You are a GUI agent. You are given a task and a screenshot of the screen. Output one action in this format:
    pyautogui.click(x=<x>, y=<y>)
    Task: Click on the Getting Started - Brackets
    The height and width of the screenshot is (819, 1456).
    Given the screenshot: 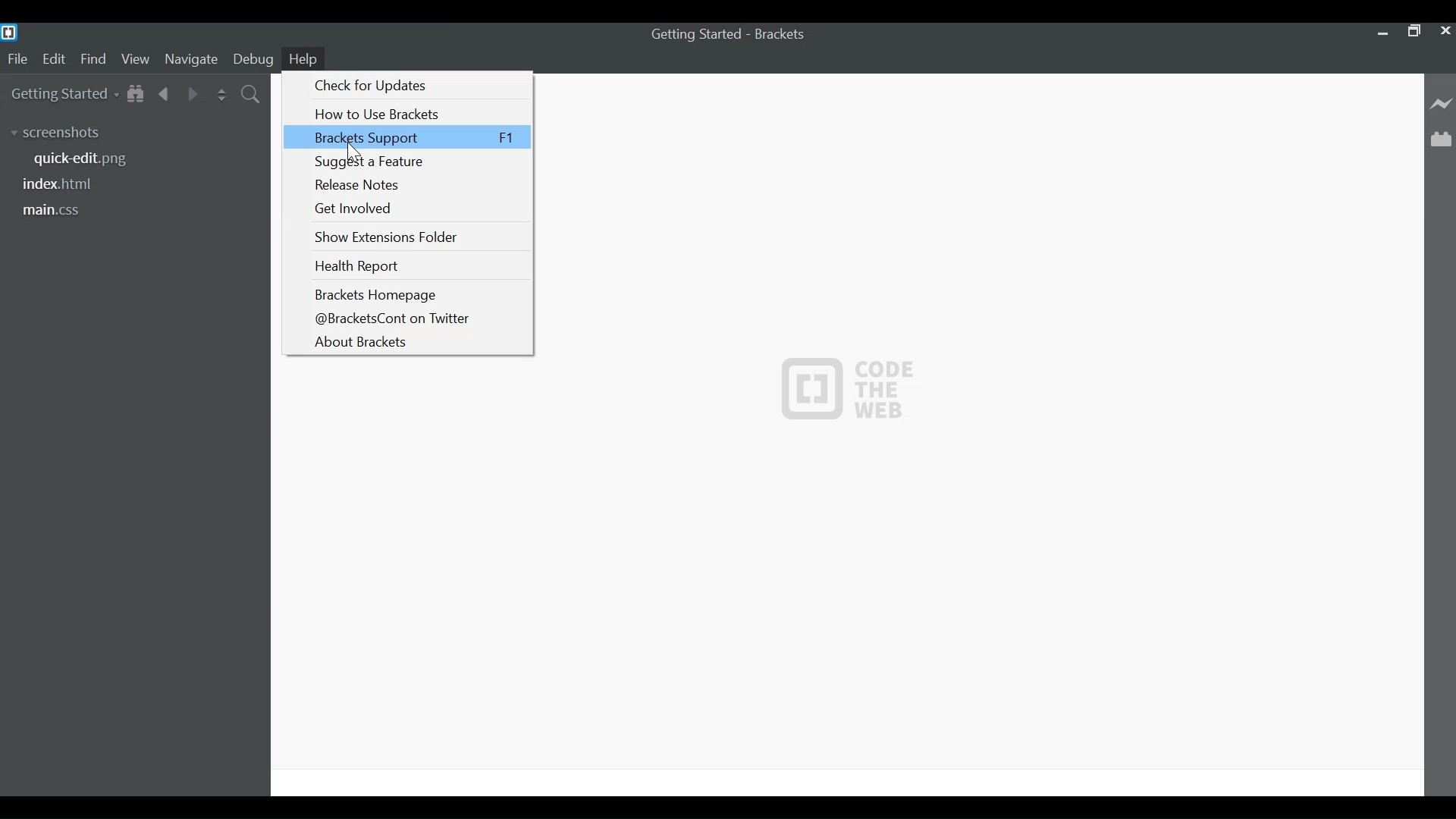 What is the action you would take?
    pyautogui.click(x=730, y=37)
    